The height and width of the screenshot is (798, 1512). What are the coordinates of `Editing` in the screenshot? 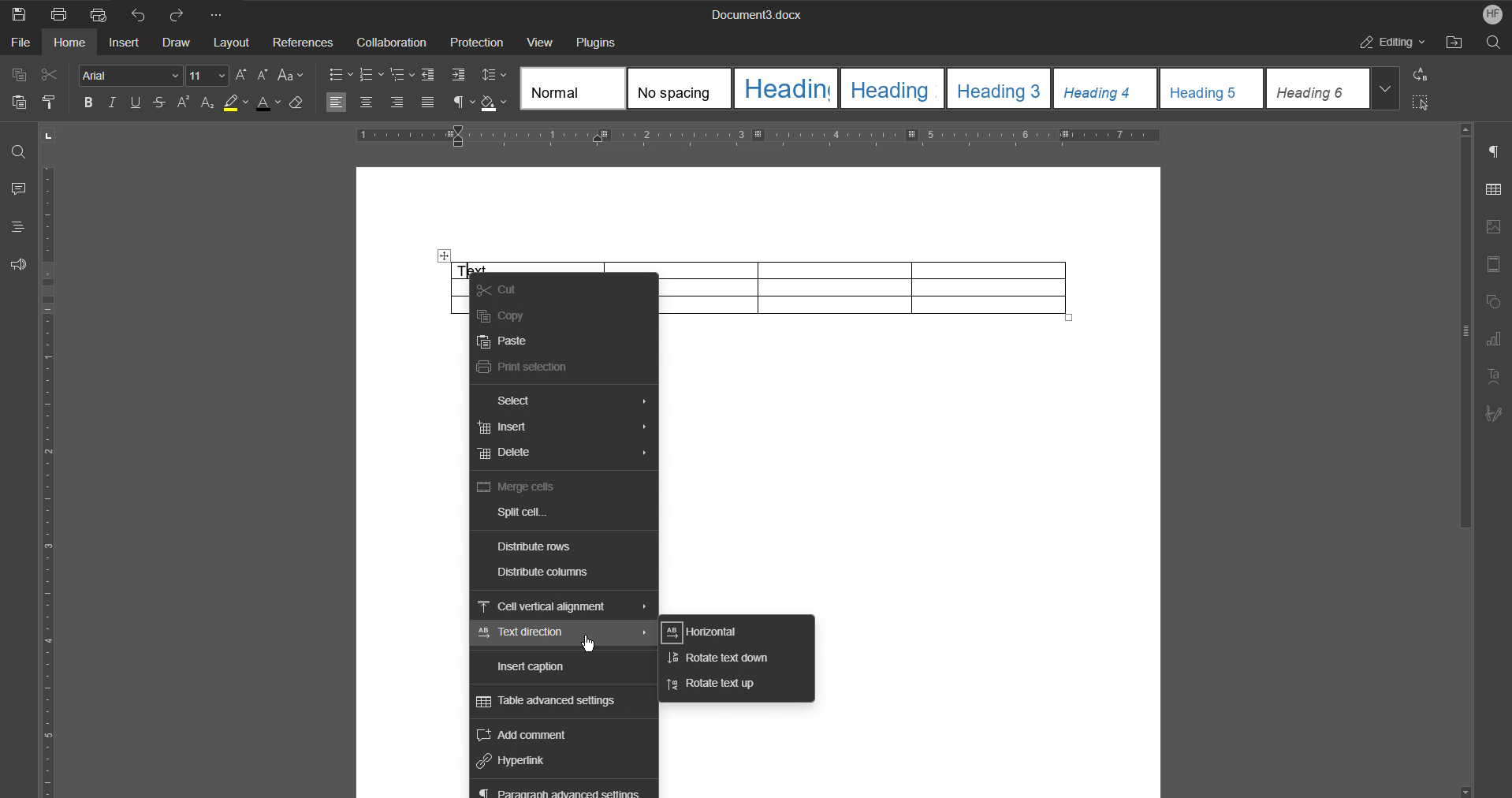 It's located at (1389, 42).